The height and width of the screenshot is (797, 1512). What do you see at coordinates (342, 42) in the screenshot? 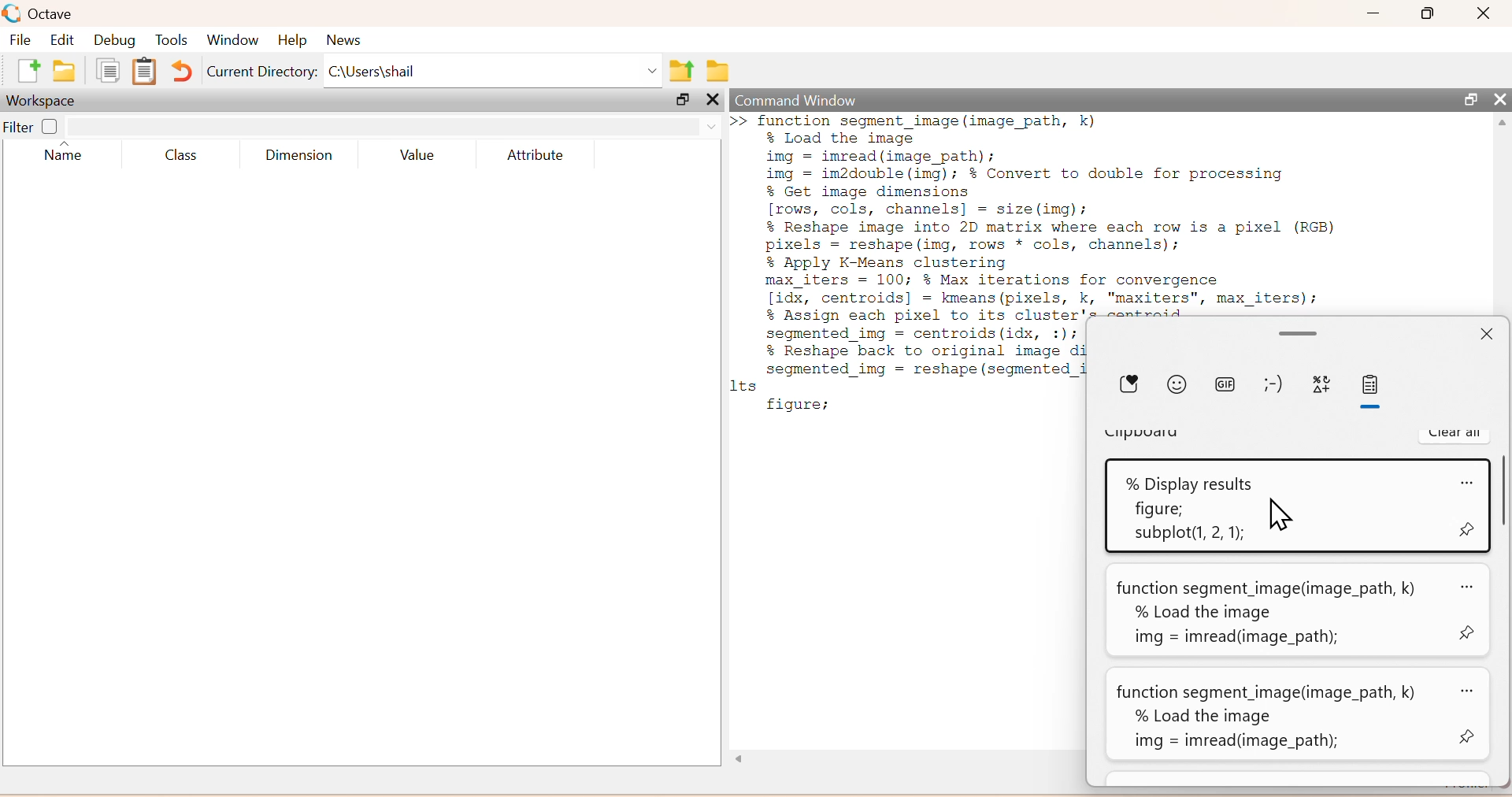
I see `News` at bounding box center [342, 42].